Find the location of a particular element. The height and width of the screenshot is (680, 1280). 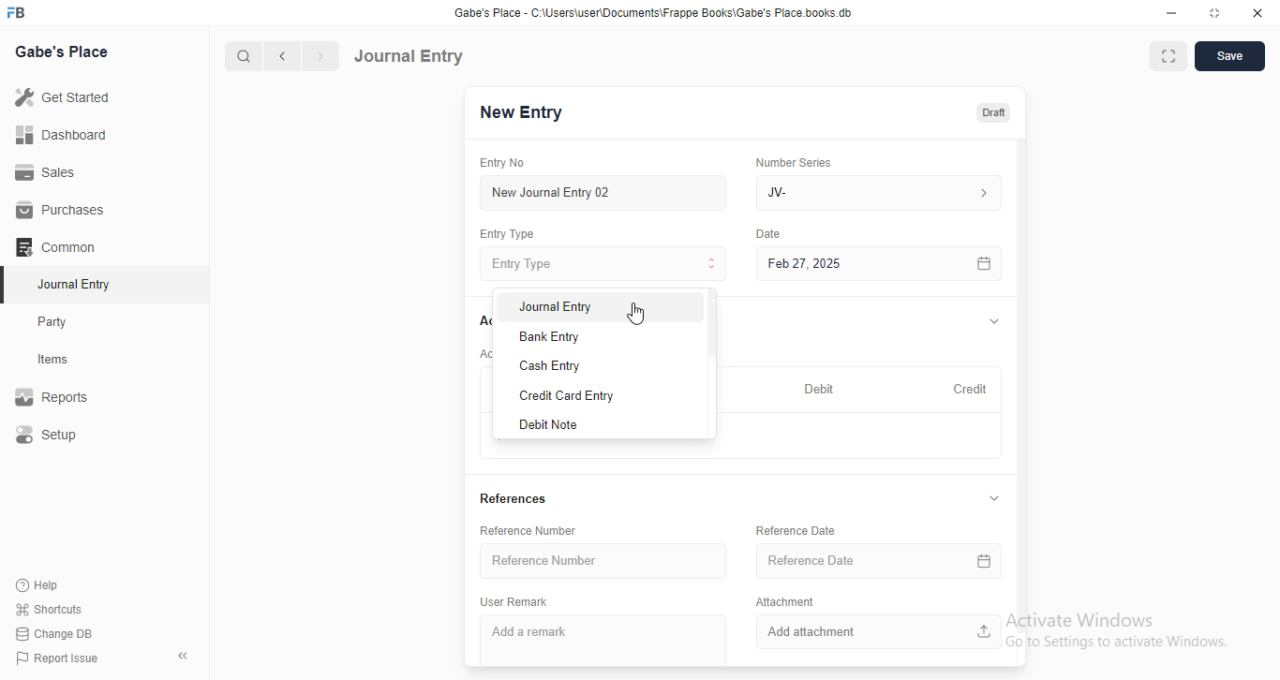

Hide is located at coordinates (995, 320).